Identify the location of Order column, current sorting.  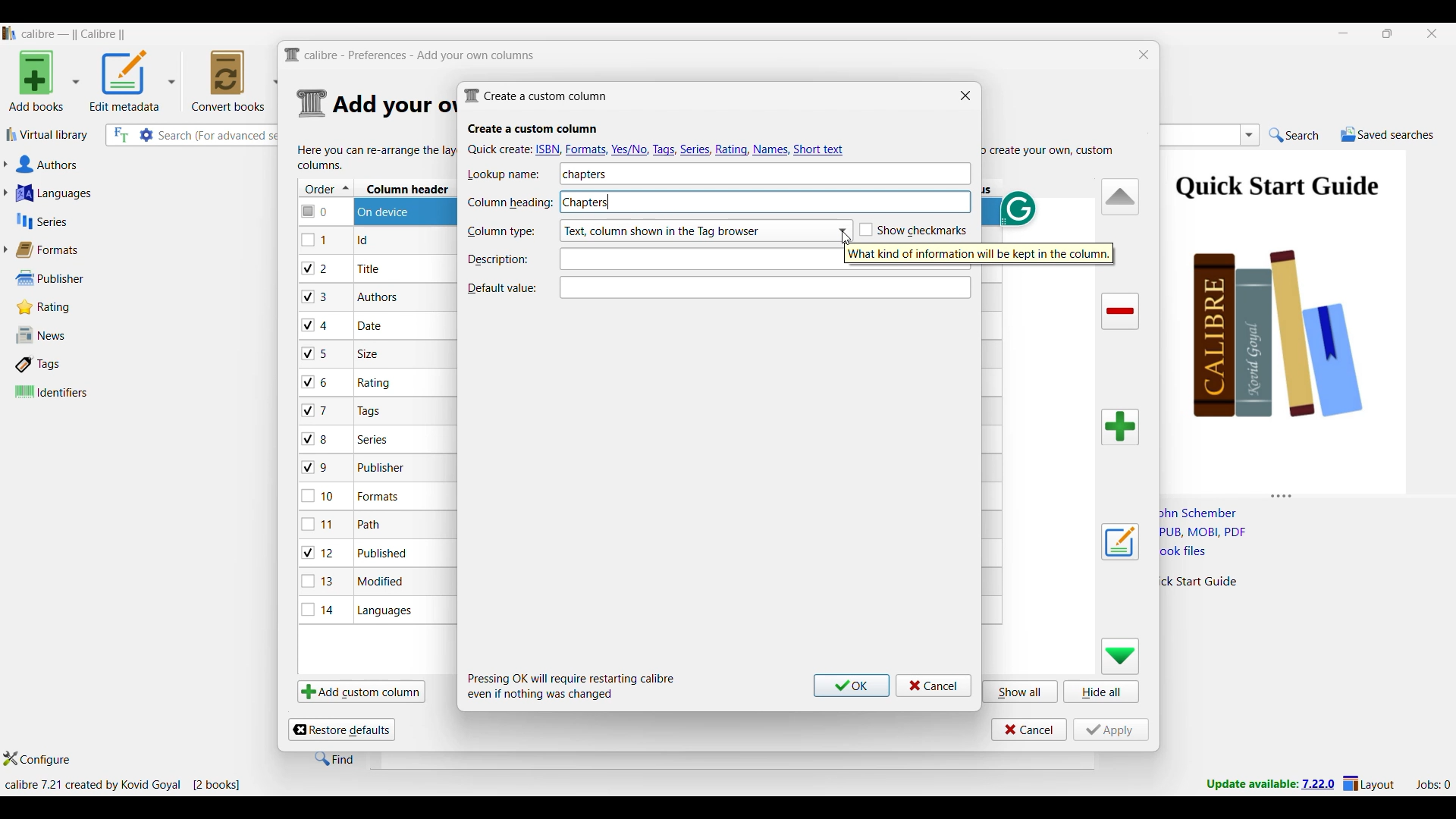
(326, 188).